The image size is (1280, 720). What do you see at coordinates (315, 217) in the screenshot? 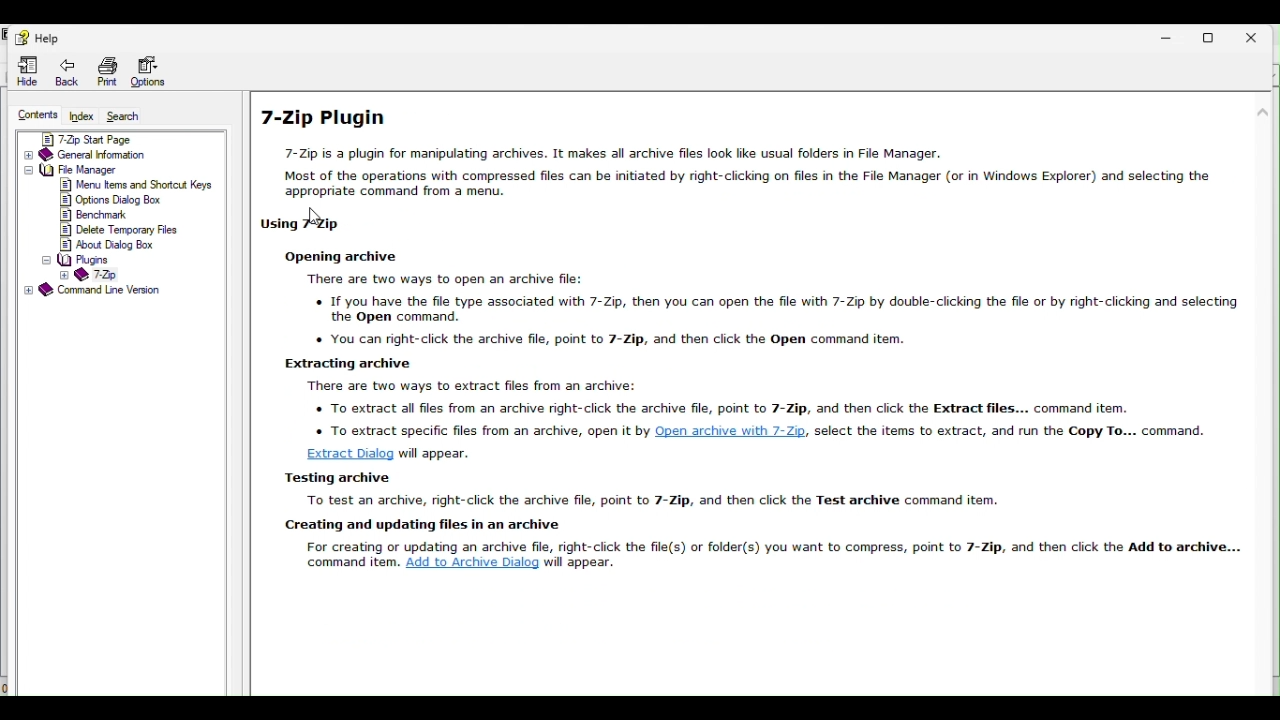
I see `cursor` at bounding box center [315, 217].